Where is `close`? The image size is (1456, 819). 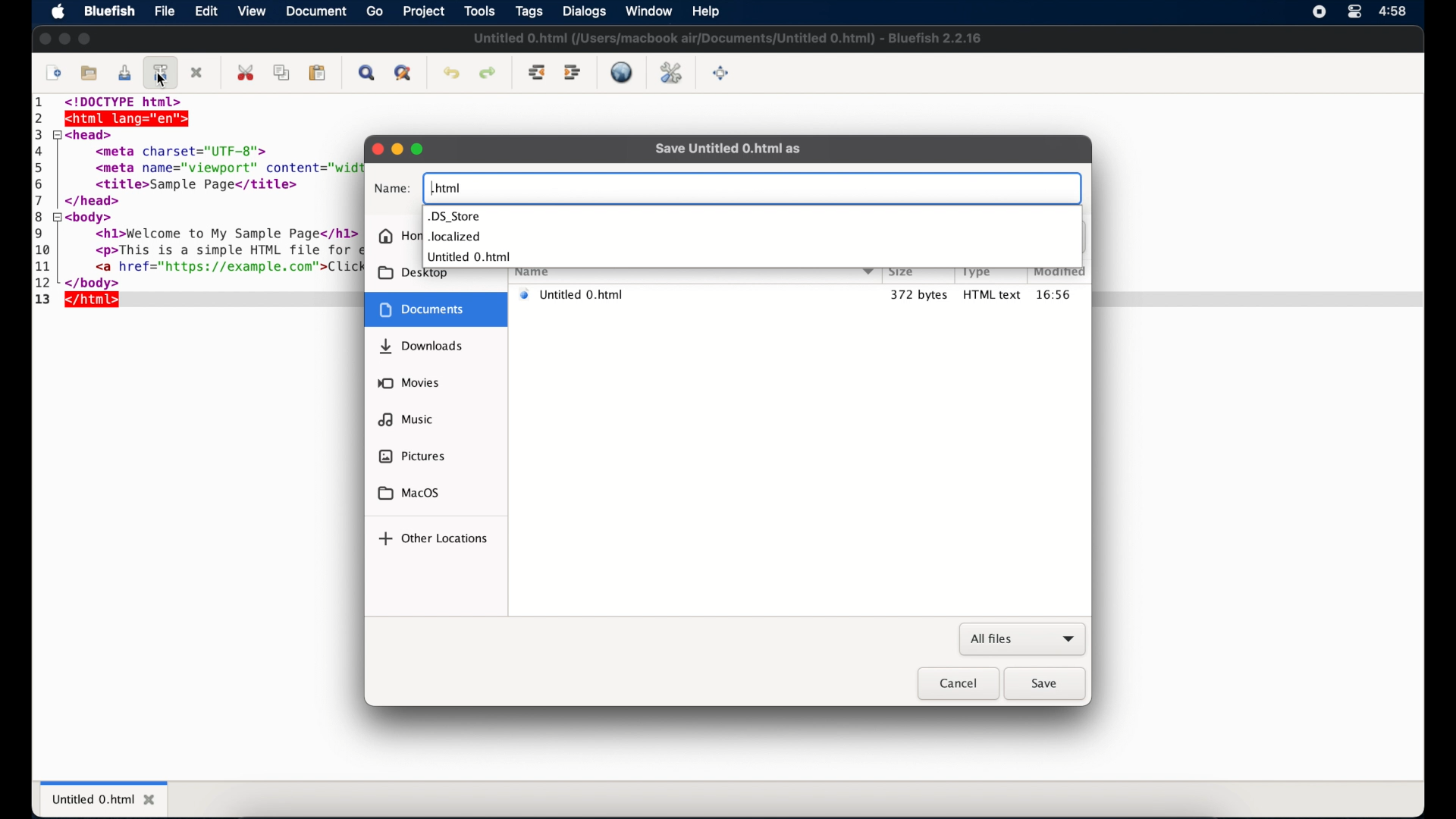
close is located at coordinates (44, 39).